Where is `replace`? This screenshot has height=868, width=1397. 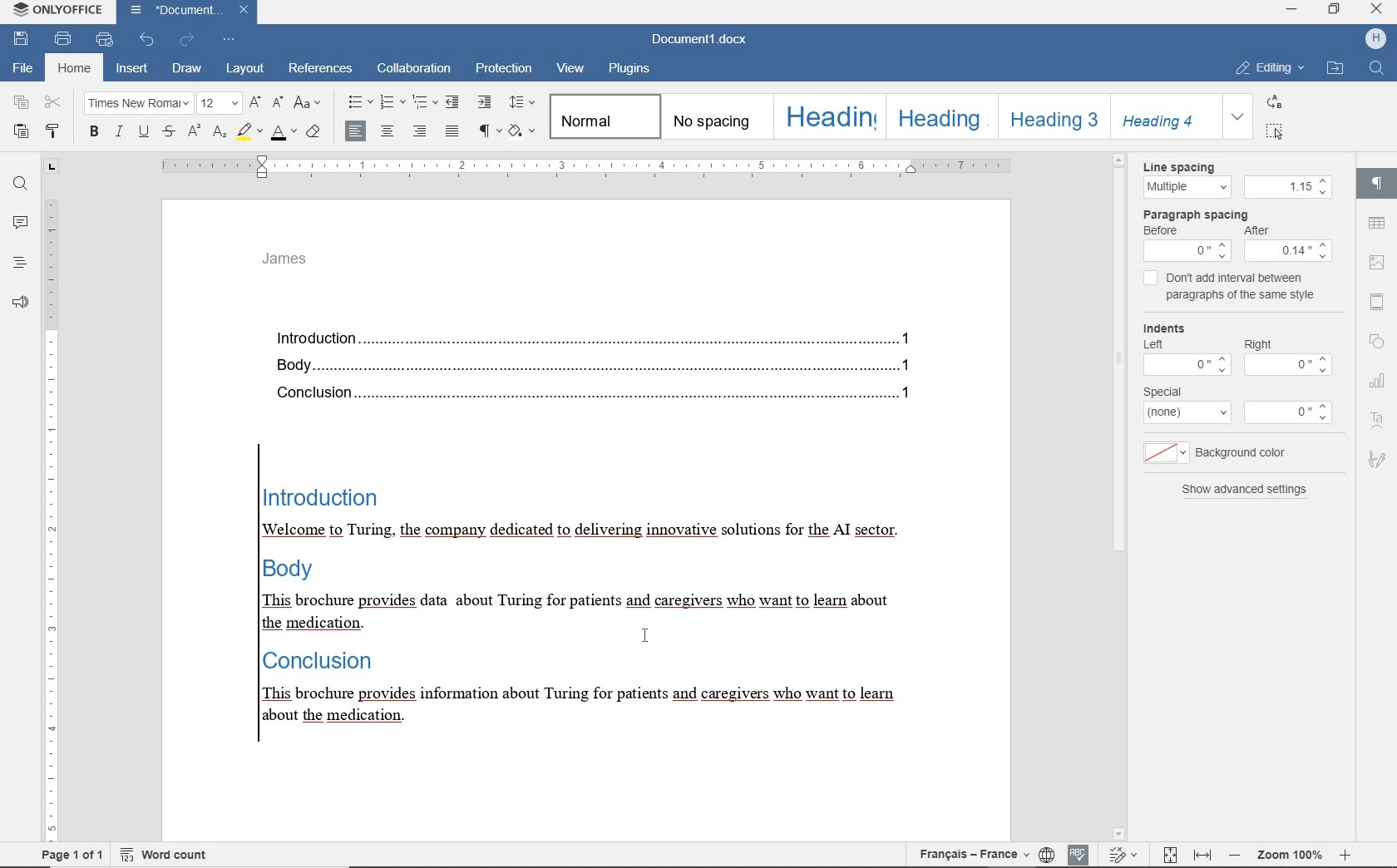 replace is located at coordinates (1272, 104).